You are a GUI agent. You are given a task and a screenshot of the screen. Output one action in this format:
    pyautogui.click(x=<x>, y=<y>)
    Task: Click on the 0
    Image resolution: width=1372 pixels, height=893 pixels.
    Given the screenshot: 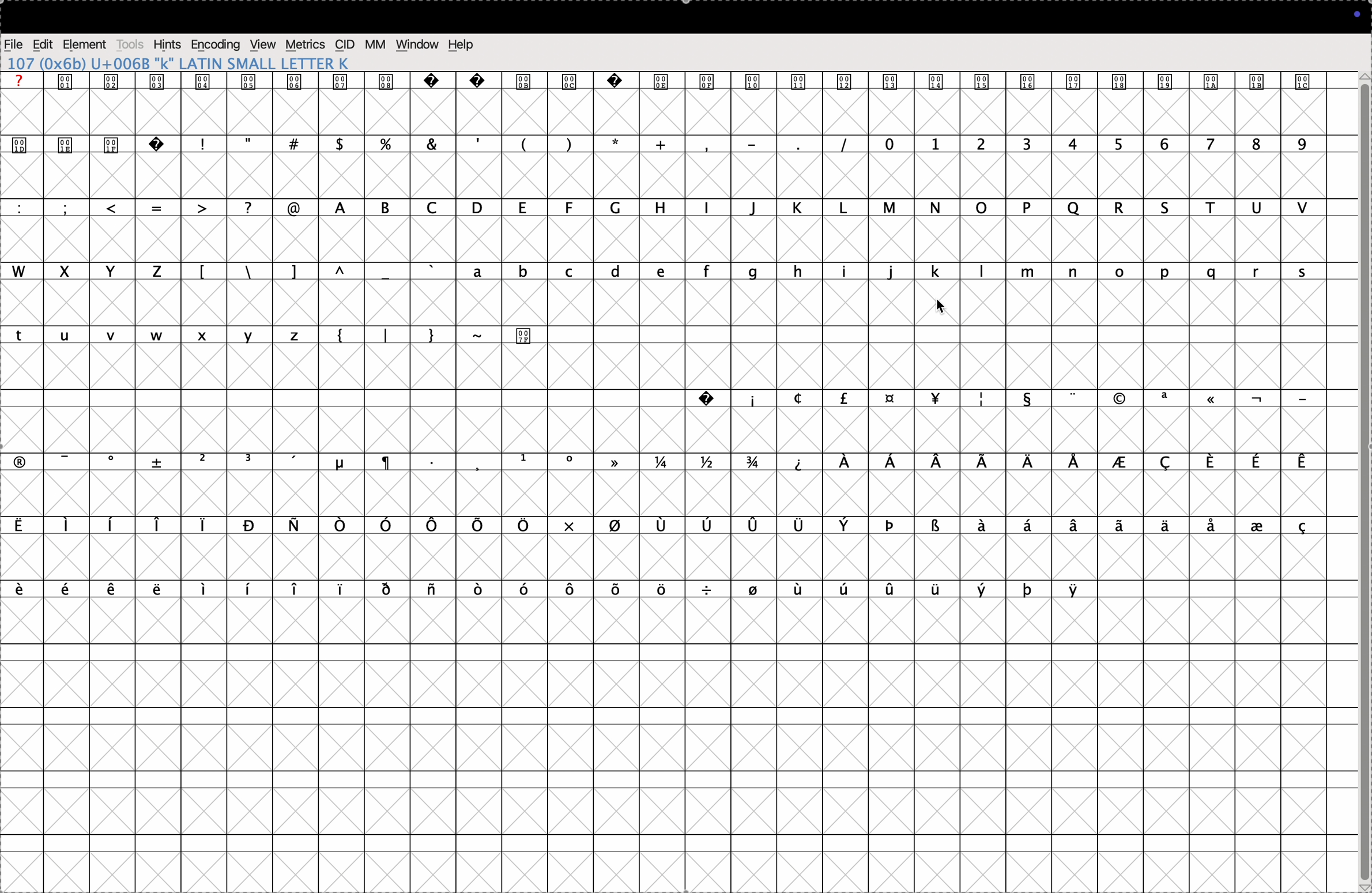 What is the action you would take?
    pyautogui.click(x=889, y=144)
    